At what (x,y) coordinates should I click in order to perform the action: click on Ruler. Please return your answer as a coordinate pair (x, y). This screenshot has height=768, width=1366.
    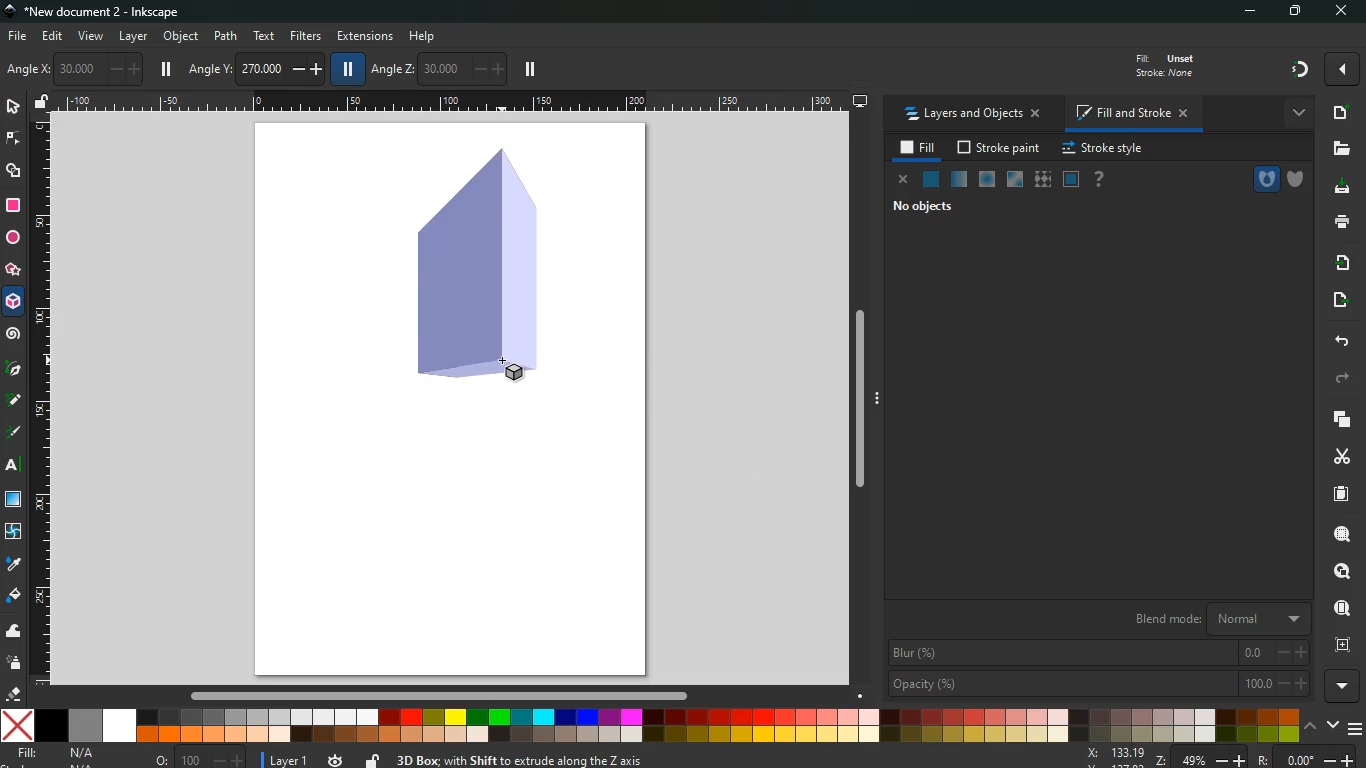
    Looking at the image, I should click on (39, 400).